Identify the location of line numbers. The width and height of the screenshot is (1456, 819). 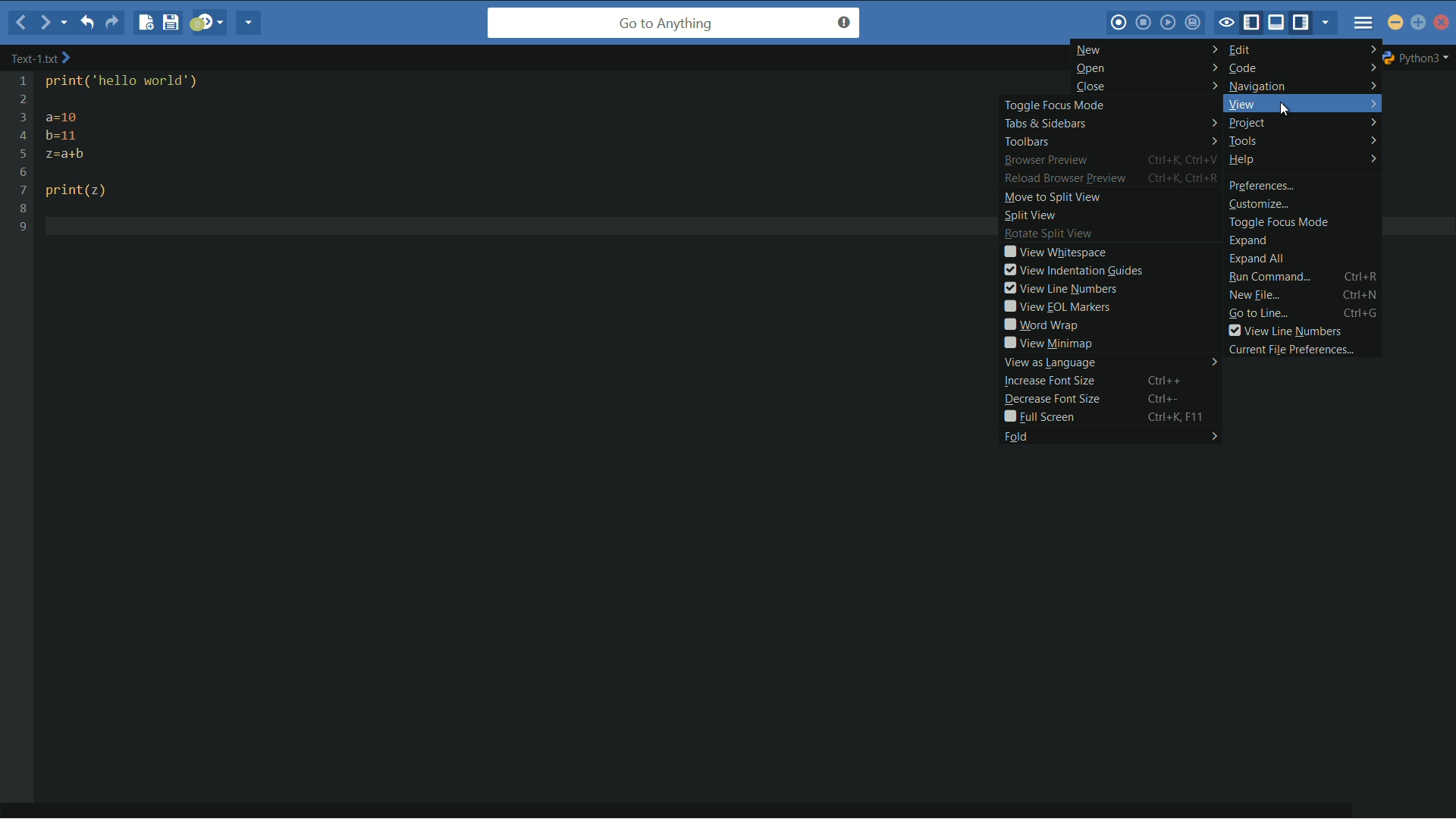
(22, 154).